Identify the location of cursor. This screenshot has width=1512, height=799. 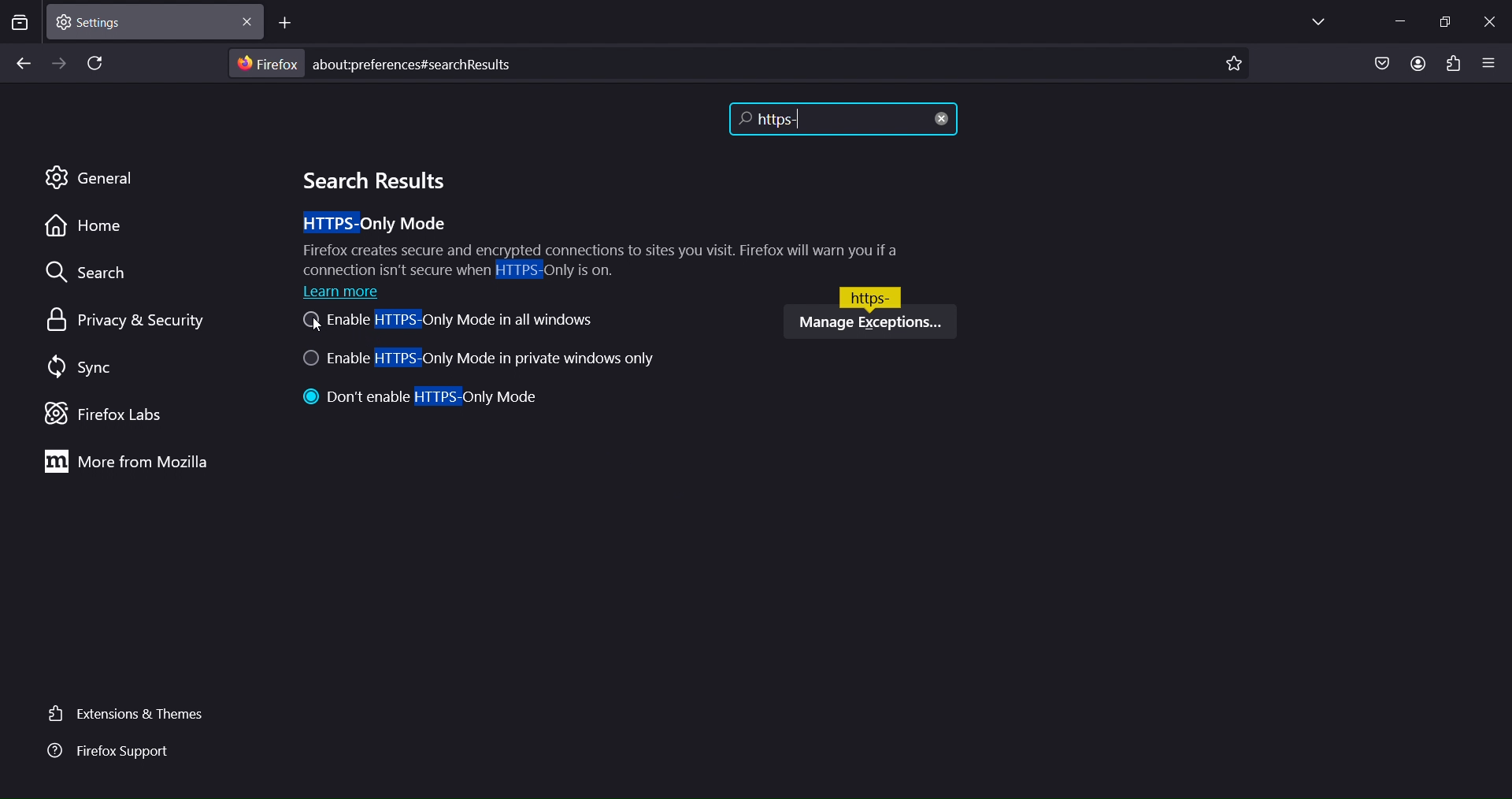
(317, 329).